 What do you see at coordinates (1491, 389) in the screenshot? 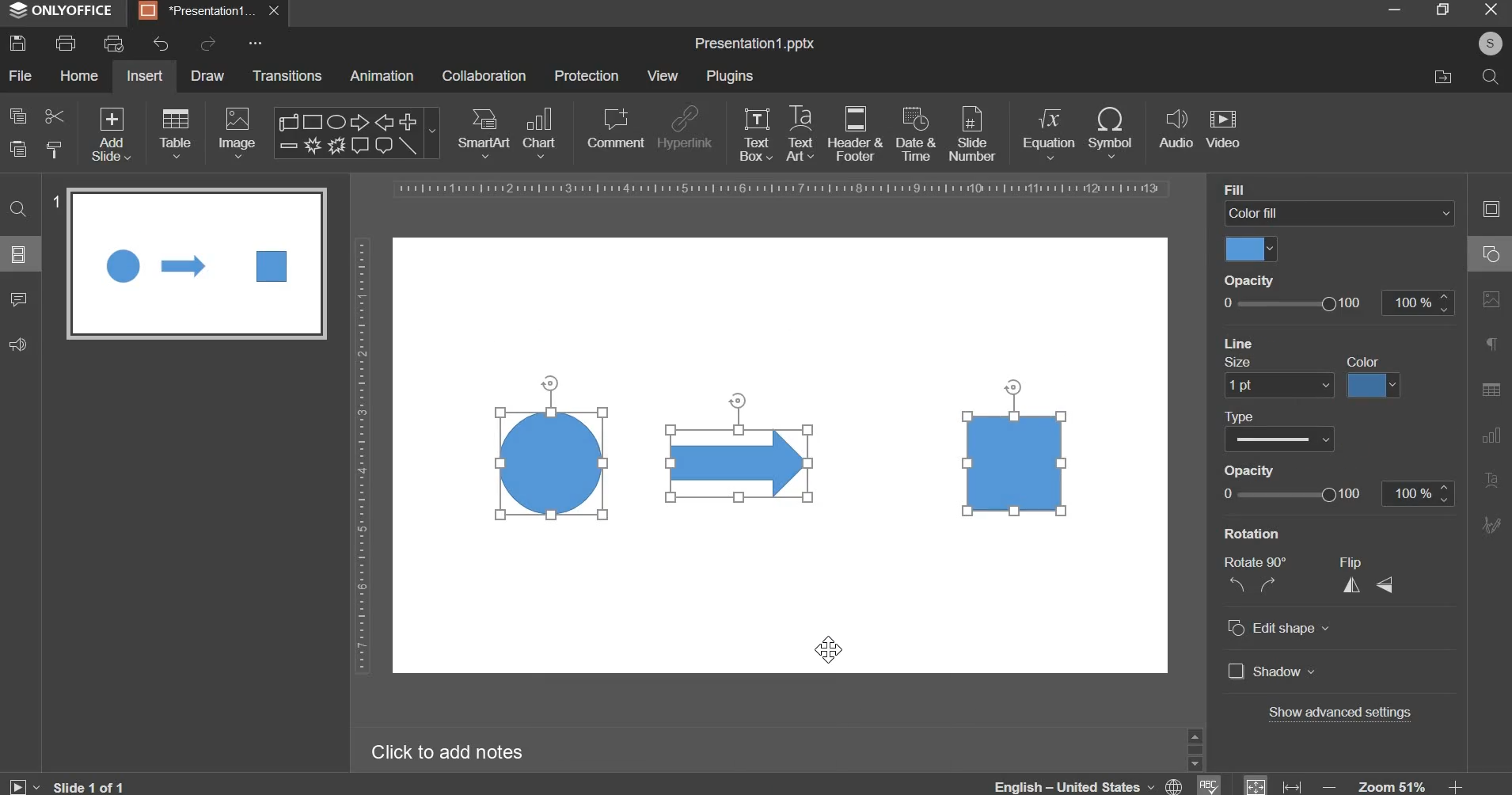
I see `table setting` at bounding box center [1491, 389].